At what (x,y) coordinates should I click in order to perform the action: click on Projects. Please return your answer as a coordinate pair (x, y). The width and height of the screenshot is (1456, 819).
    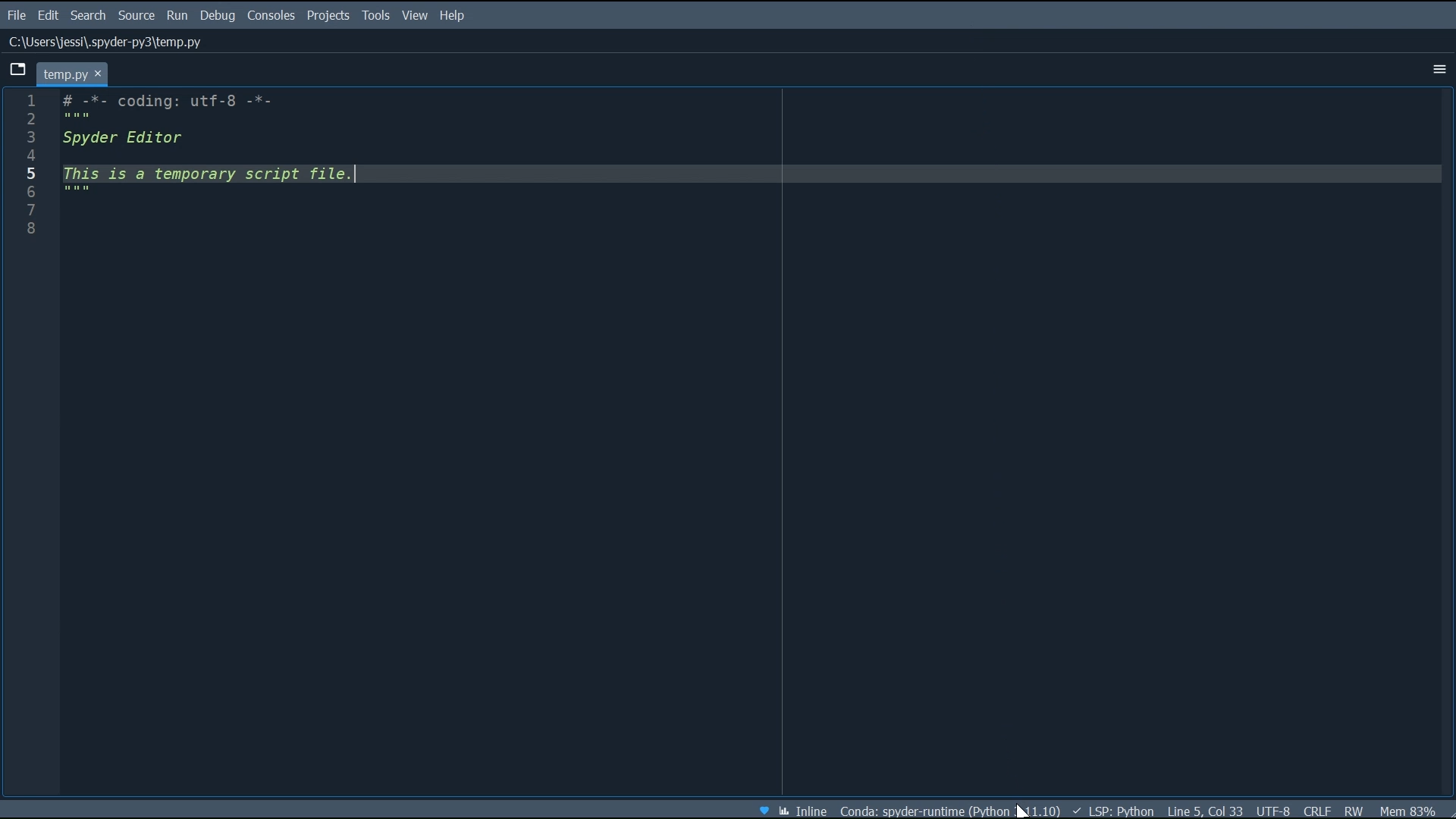
    Looking at the image, I should click on (327, 17).